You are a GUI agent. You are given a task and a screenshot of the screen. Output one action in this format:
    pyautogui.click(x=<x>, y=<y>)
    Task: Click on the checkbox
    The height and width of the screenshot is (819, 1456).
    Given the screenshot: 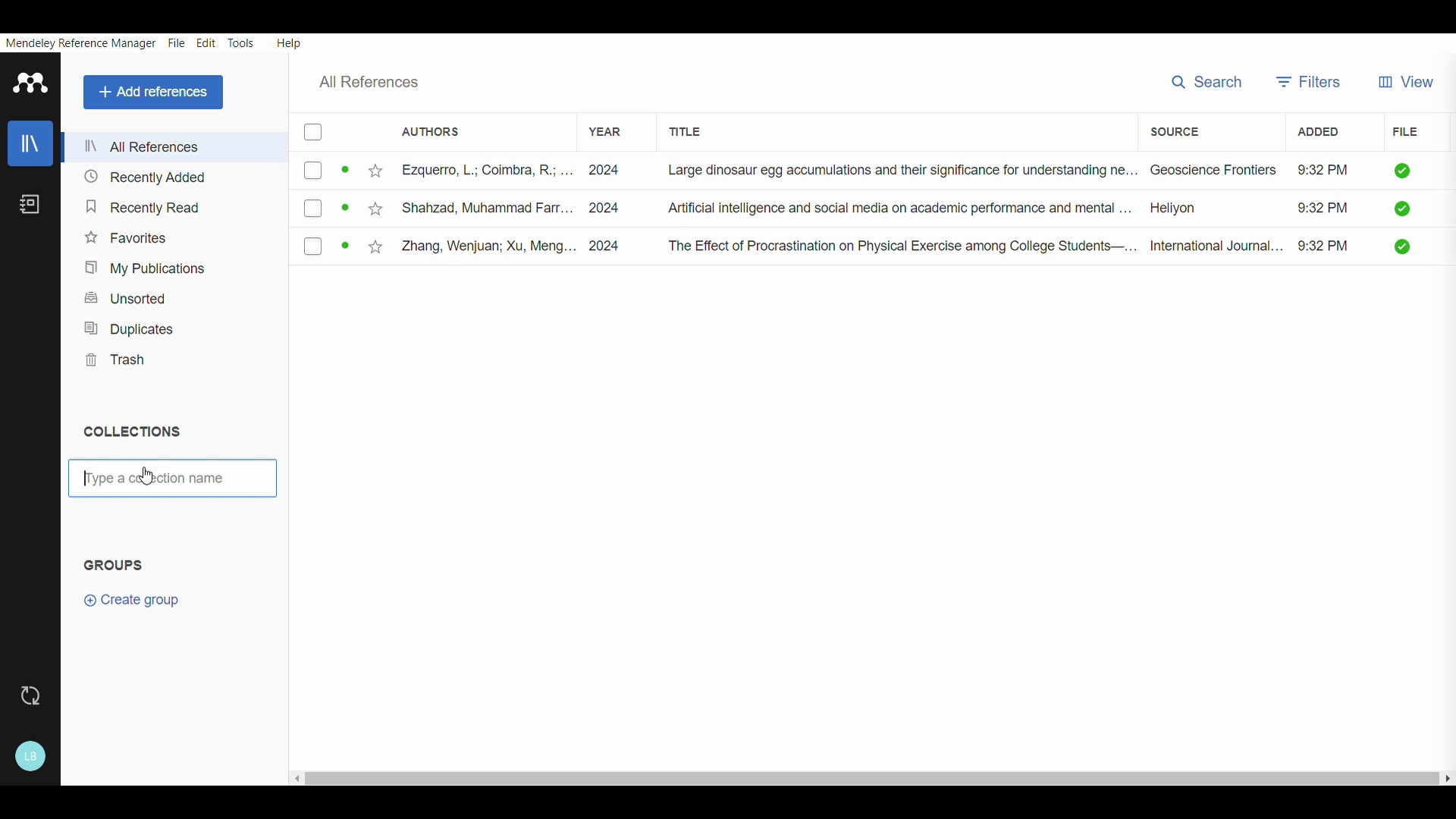 What is the action you would take?
    pyautogui.click(x=321, y=173)
    